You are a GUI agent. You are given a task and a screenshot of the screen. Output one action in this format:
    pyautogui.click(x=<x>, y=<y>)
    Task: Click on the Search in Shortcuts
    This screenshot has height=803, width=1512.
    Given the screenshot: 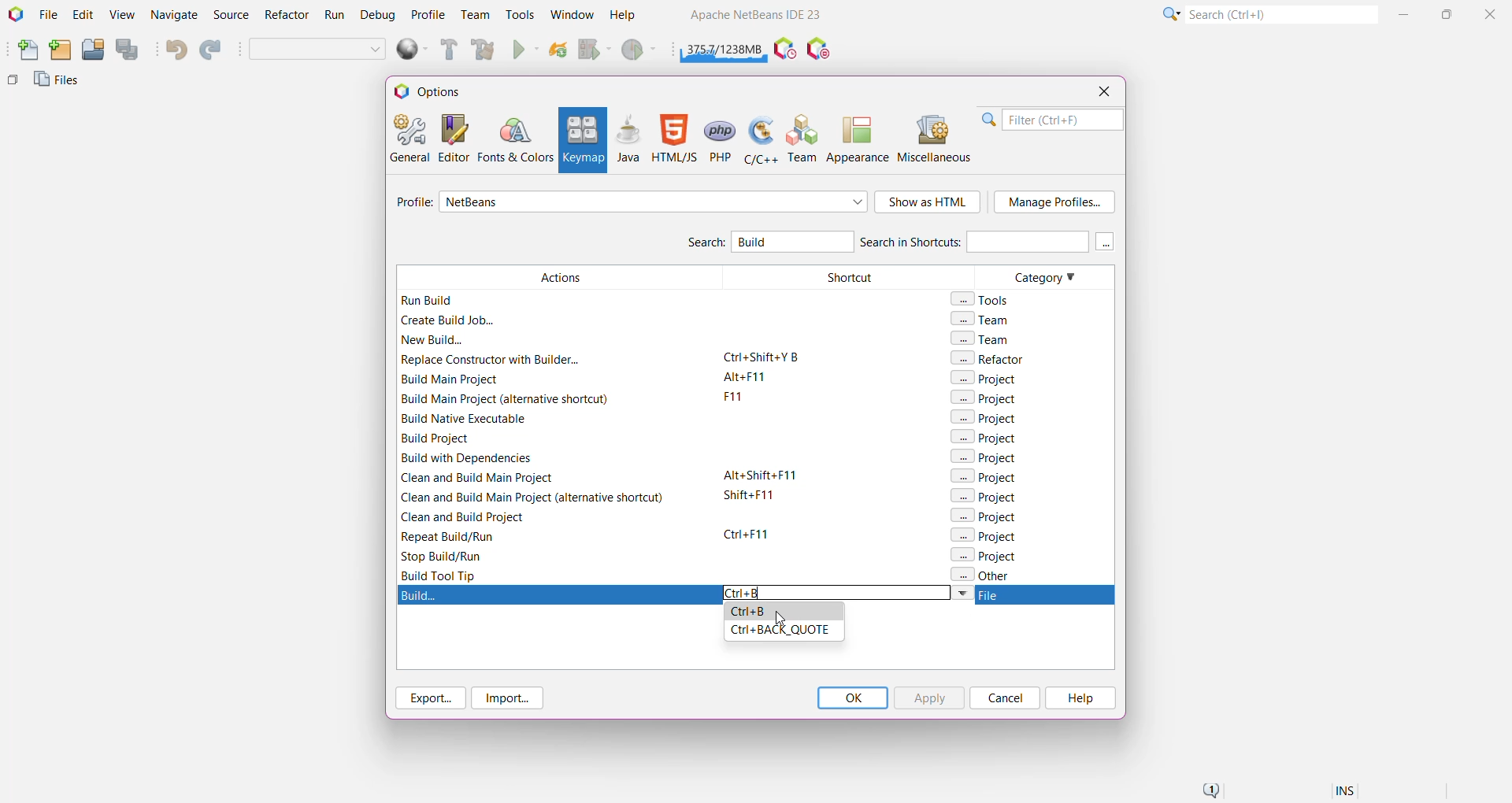 What is the action you would take?
    pyautogui.click(x=973, y=241)
    